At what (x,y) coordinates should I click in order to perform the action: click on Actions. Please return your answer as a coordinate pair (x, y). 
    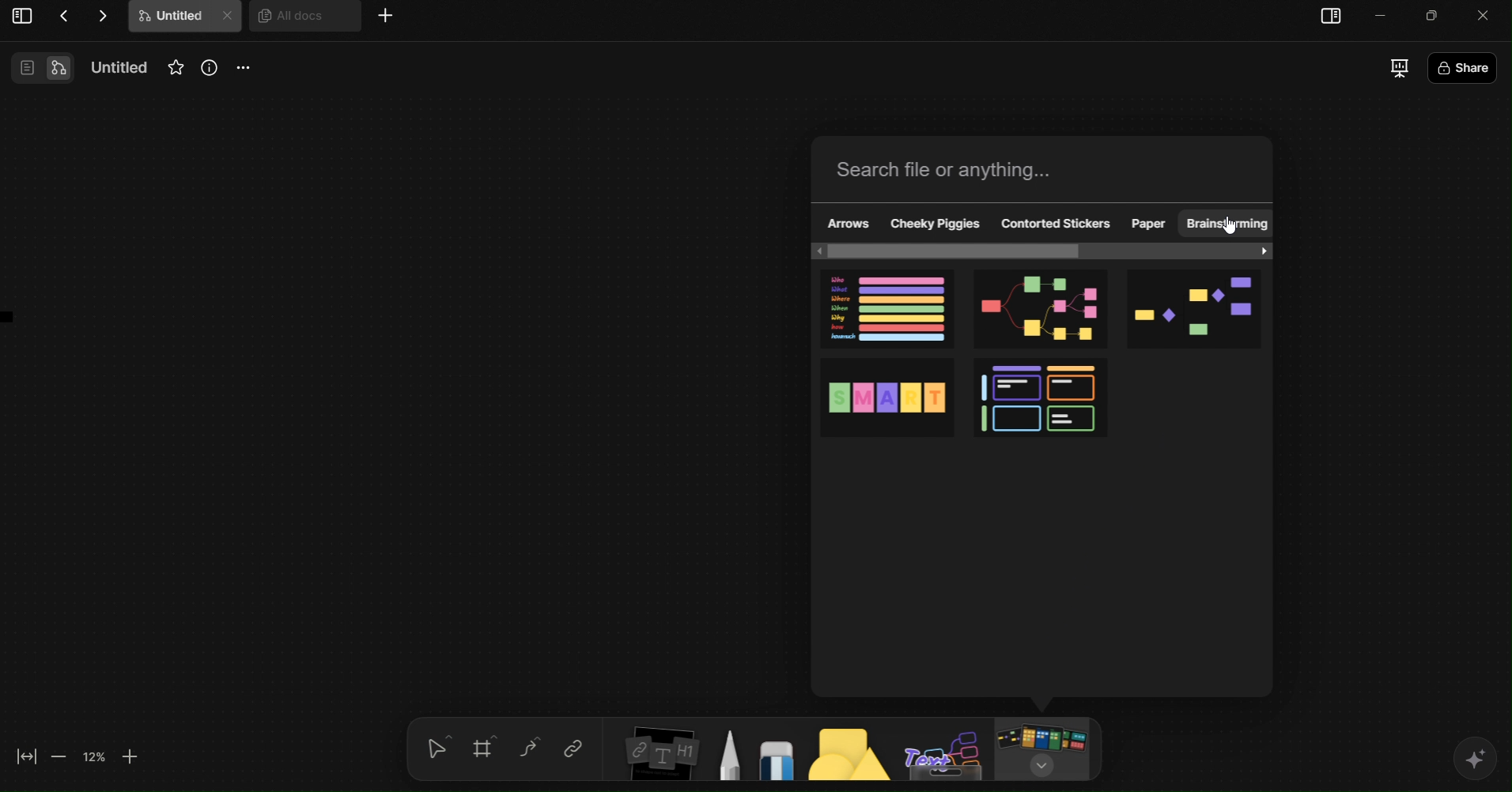
    Looking at the image, I should click on (83, 16).